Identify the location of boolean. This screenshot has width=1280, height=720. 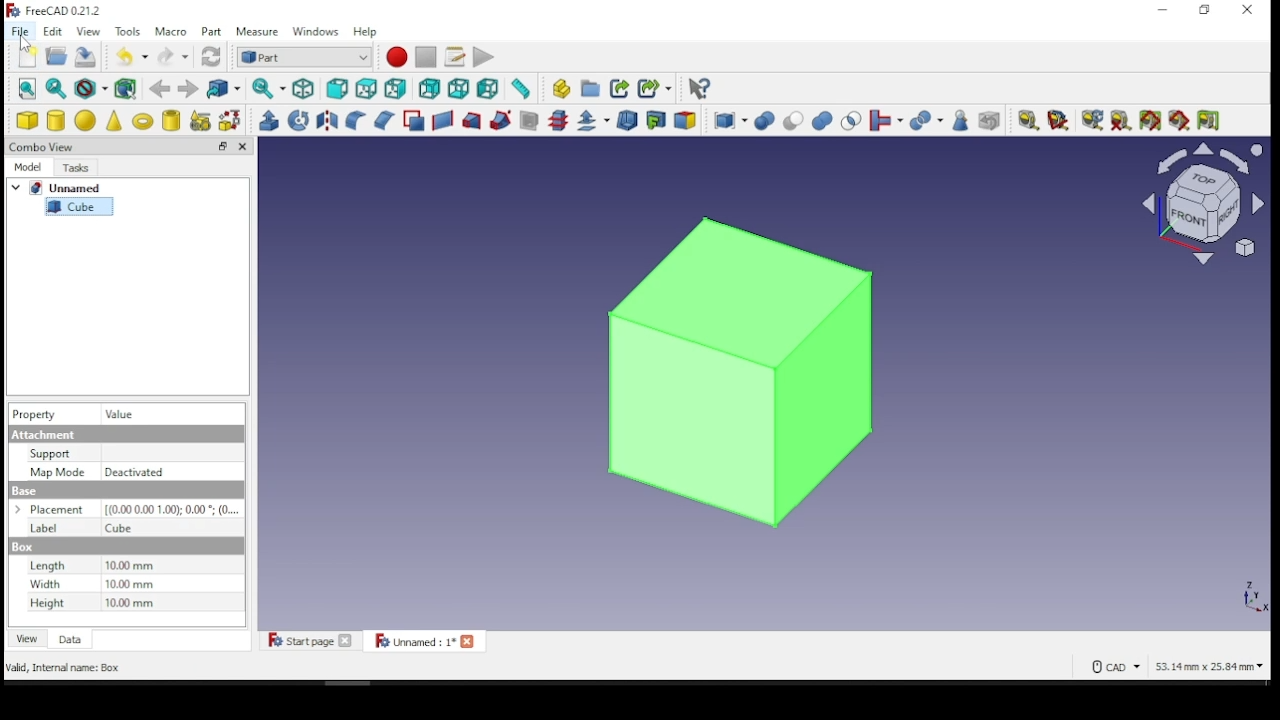
(764, 122).